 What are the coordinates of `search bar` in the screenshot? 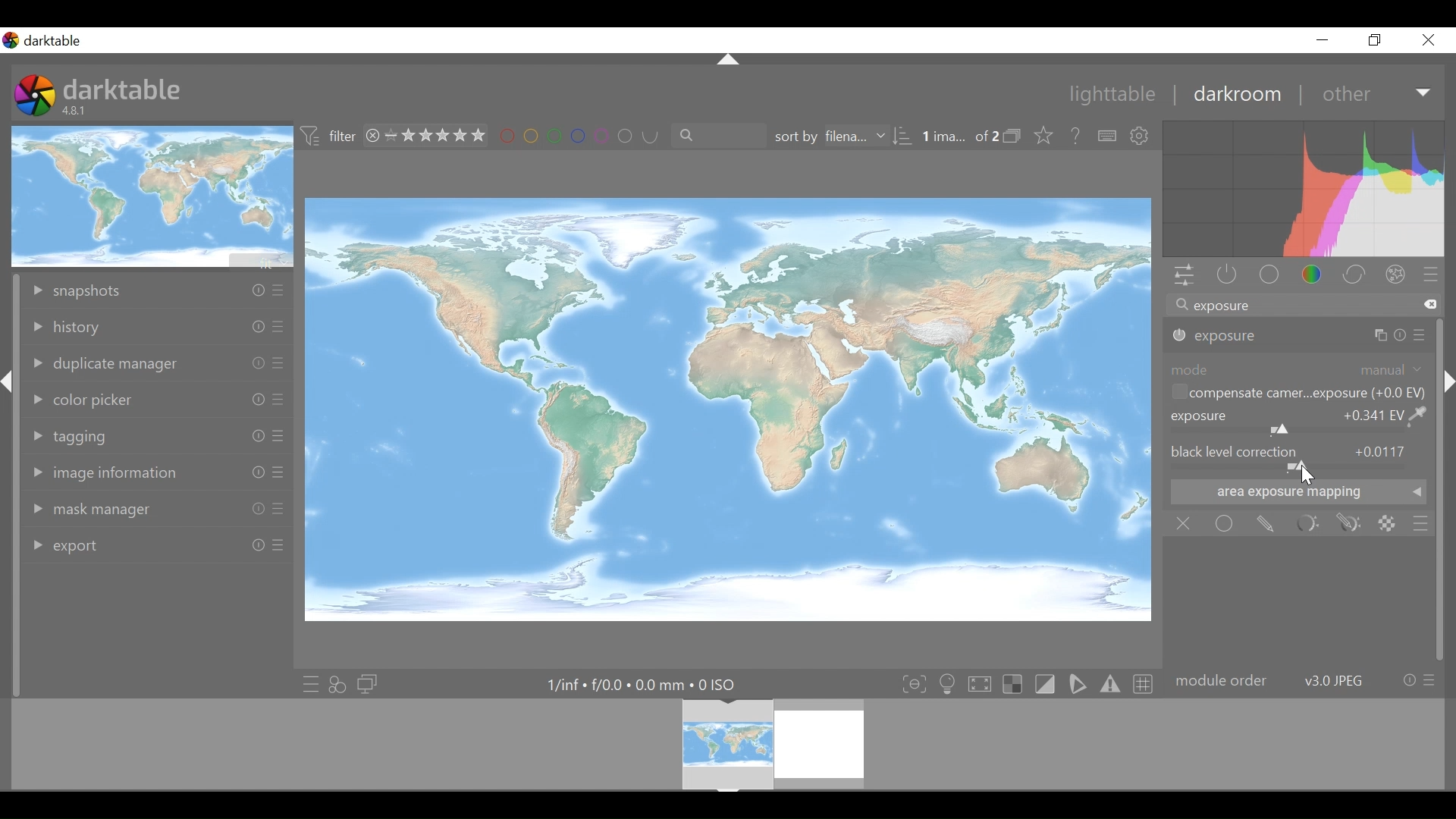 It's located at (1303, 303).